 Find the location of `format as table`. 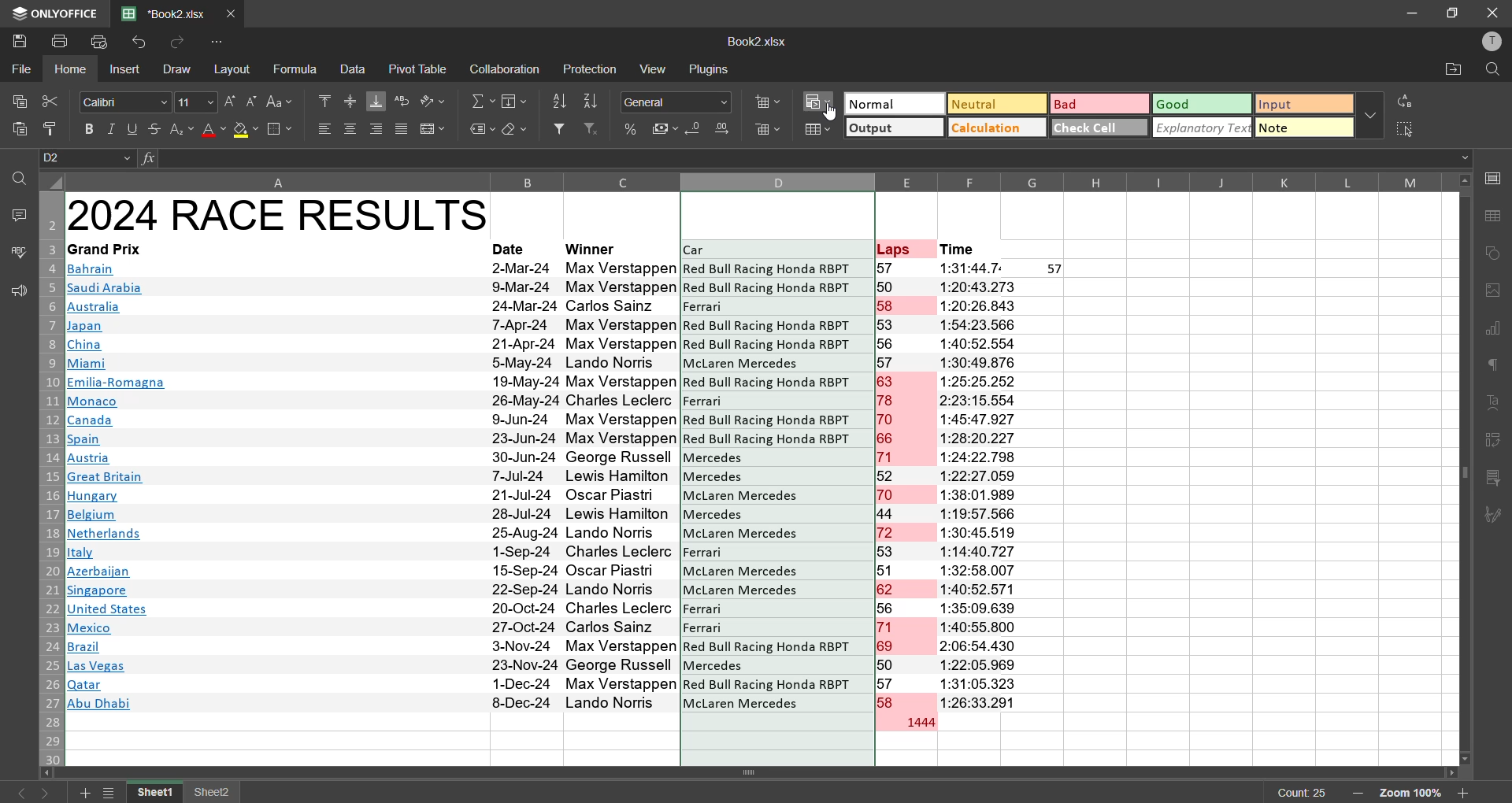

format as table is located at coordinates (819, 131).